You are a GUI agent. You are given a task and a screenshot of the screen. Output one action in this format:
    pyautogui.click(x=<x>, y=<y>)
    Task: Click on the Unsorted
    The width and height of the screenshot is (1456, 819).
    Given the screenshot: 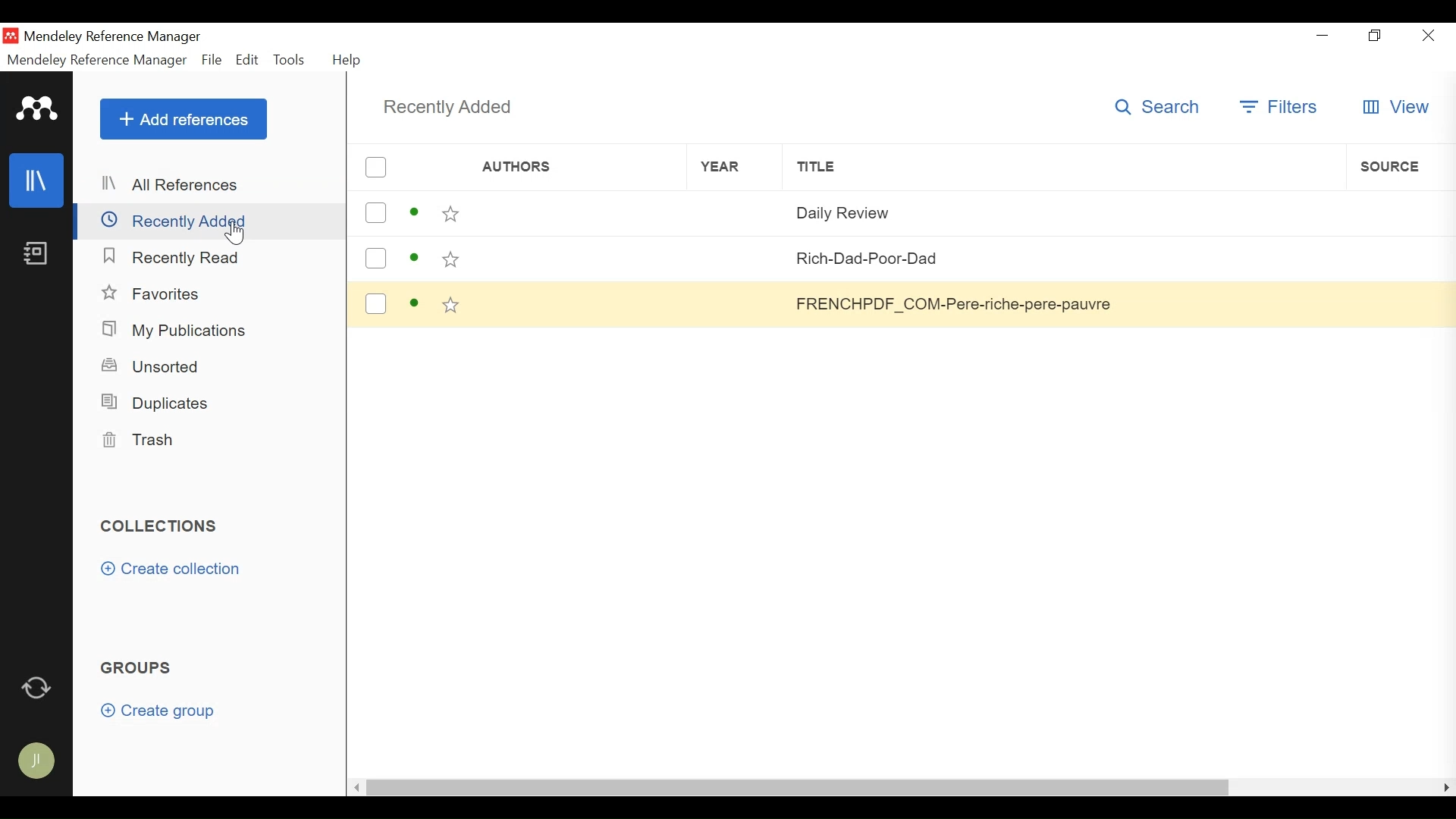 What is the action you would take?
    pyautogui.click(x=156, y=367)
    